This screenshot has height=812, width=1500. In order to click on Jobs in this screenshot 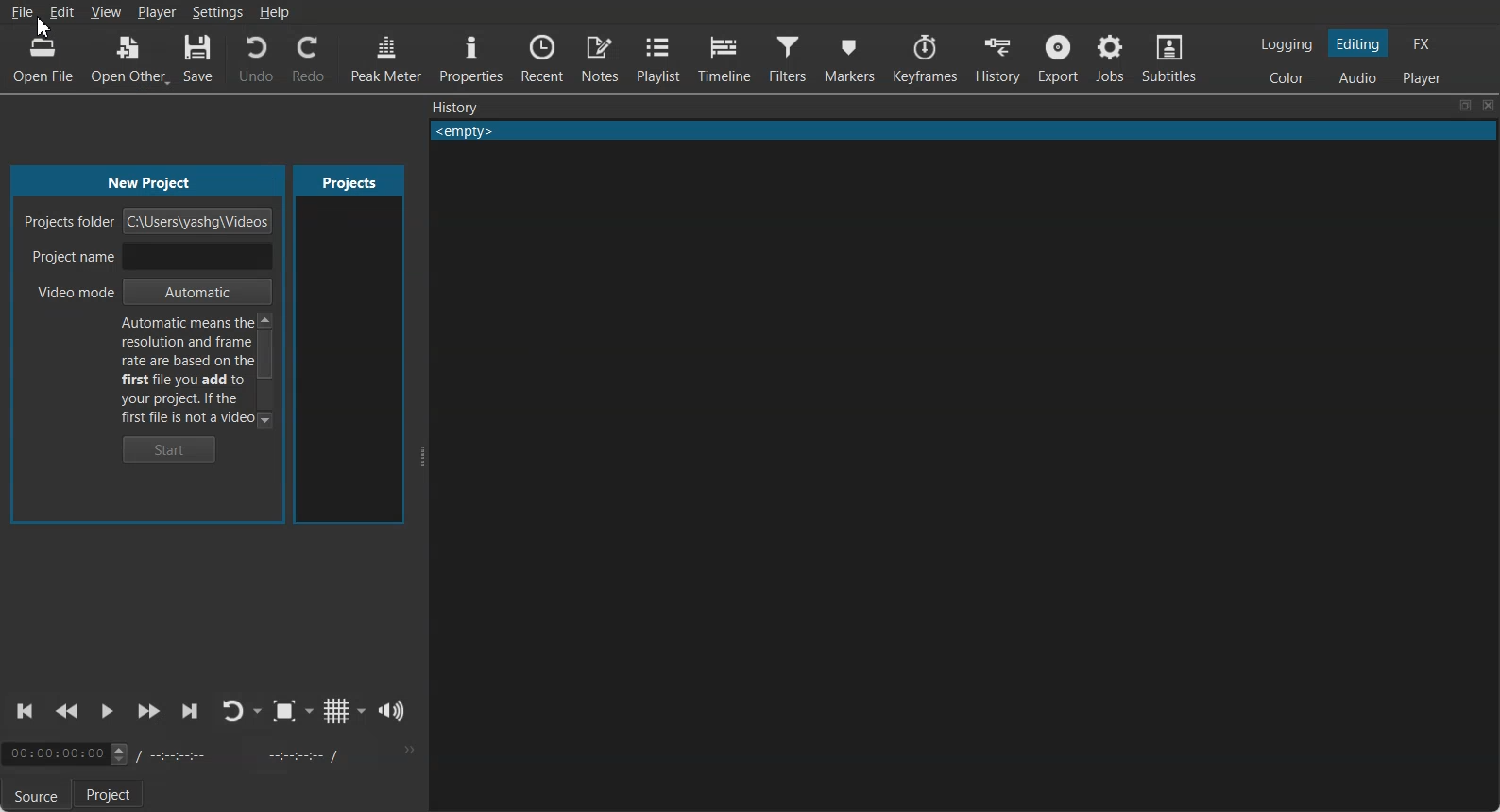, I will do `click(1109, 58)`.